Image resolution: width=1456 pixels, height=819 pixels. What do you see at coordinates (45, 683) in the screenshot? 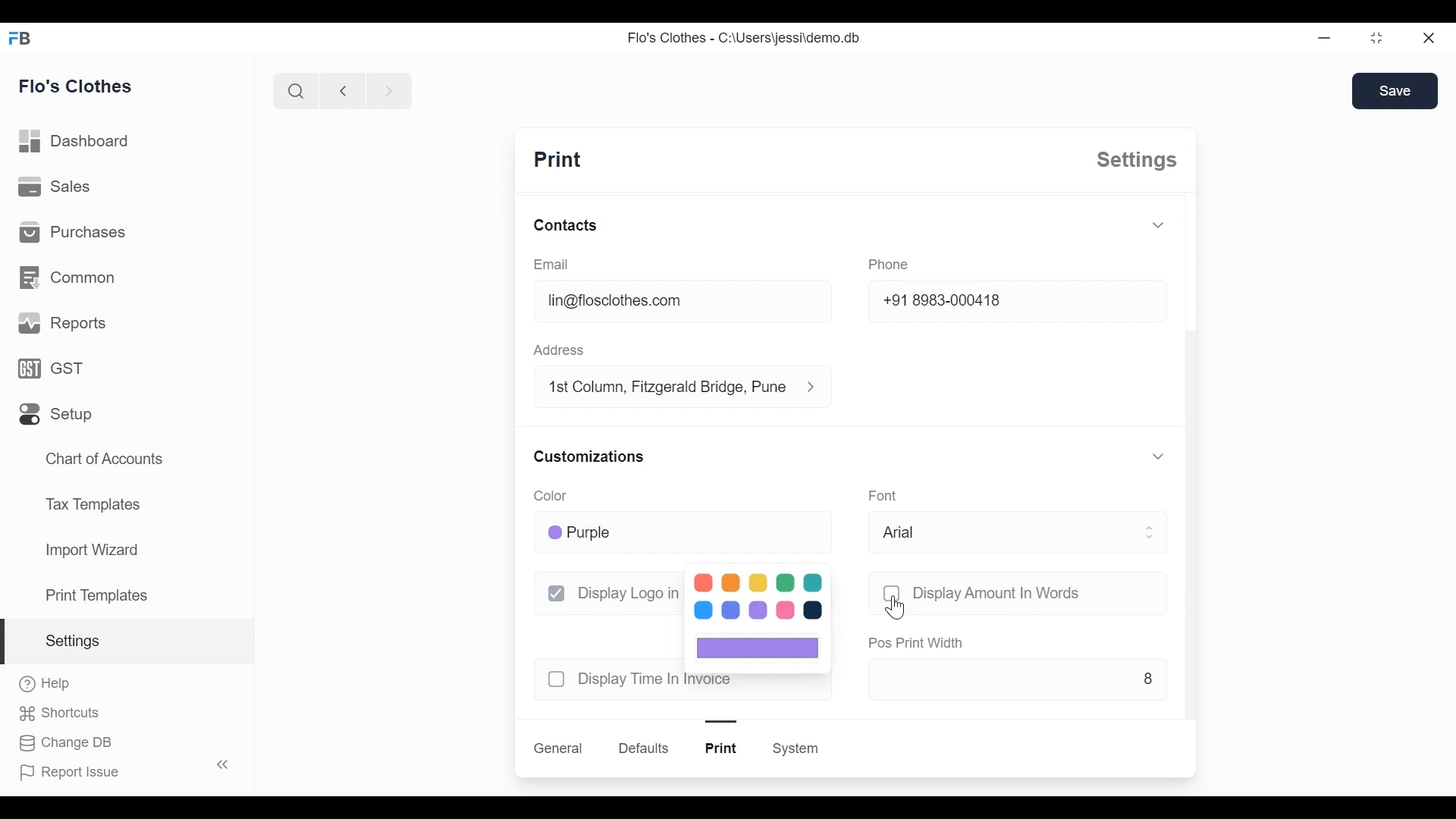
I see `help` at bounding box center [45, 683].